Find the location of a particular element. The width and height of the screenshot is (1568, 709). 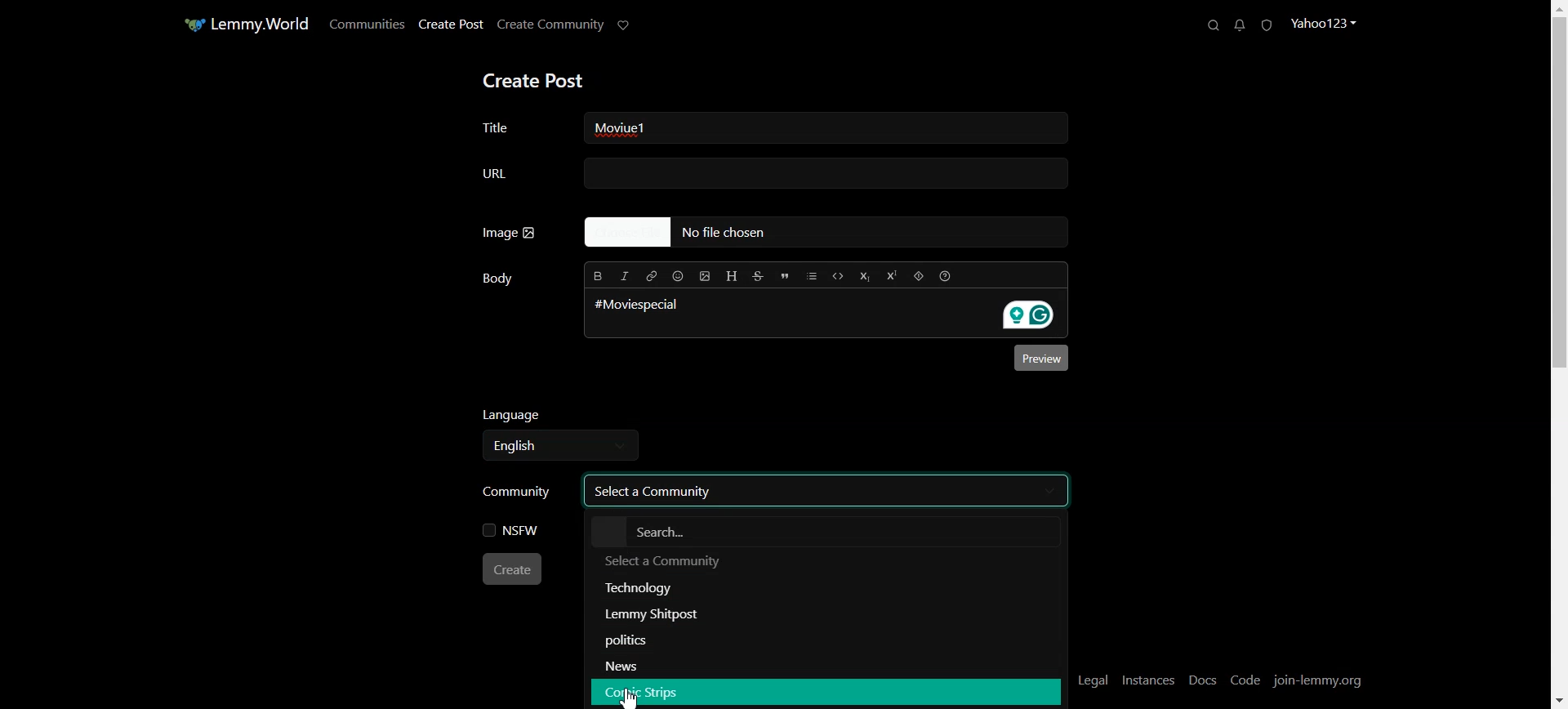

Preview is located at coordinates (1041, 358).